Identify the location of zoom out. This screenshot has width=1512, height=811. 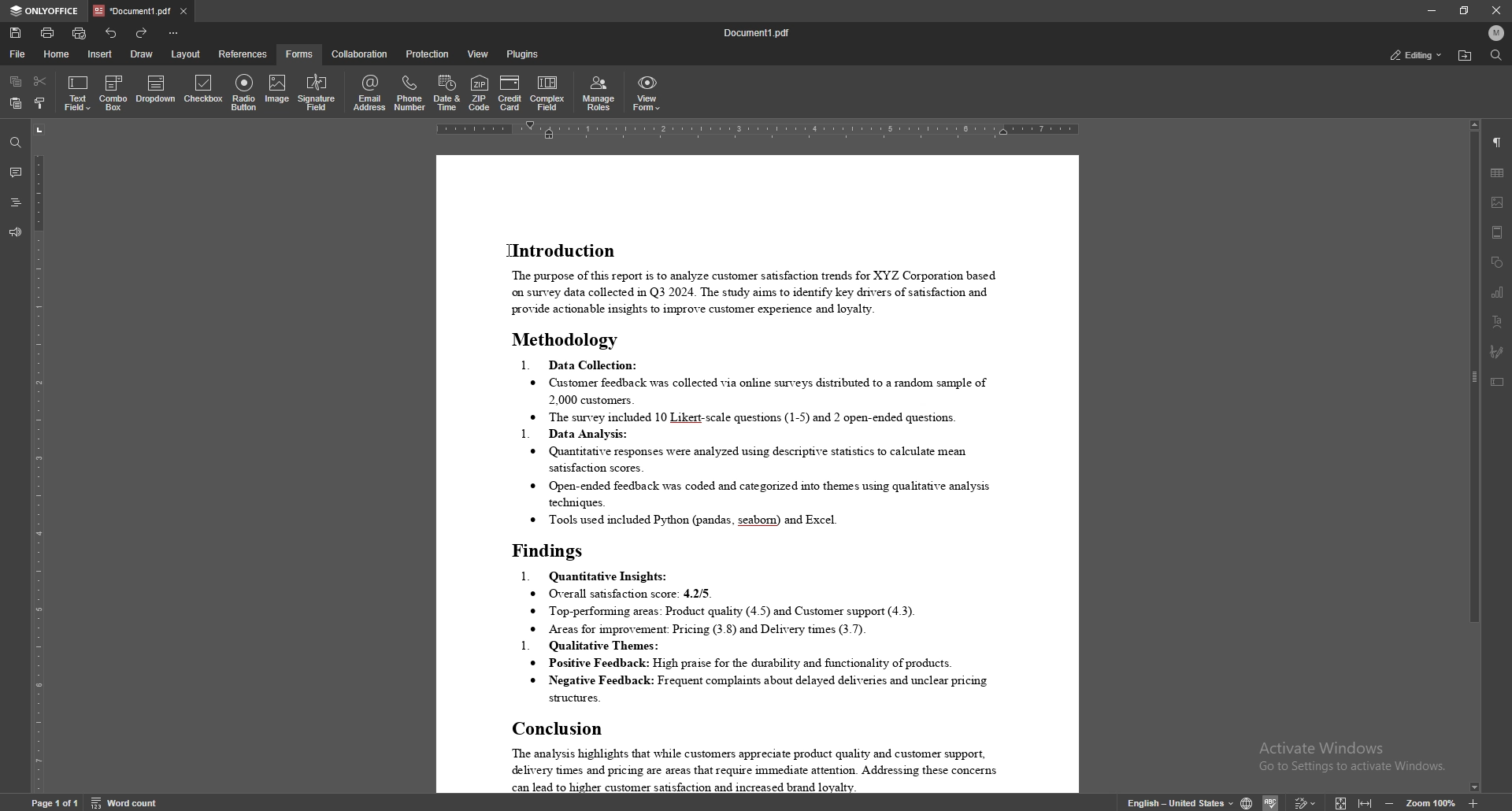
(1389, 803).